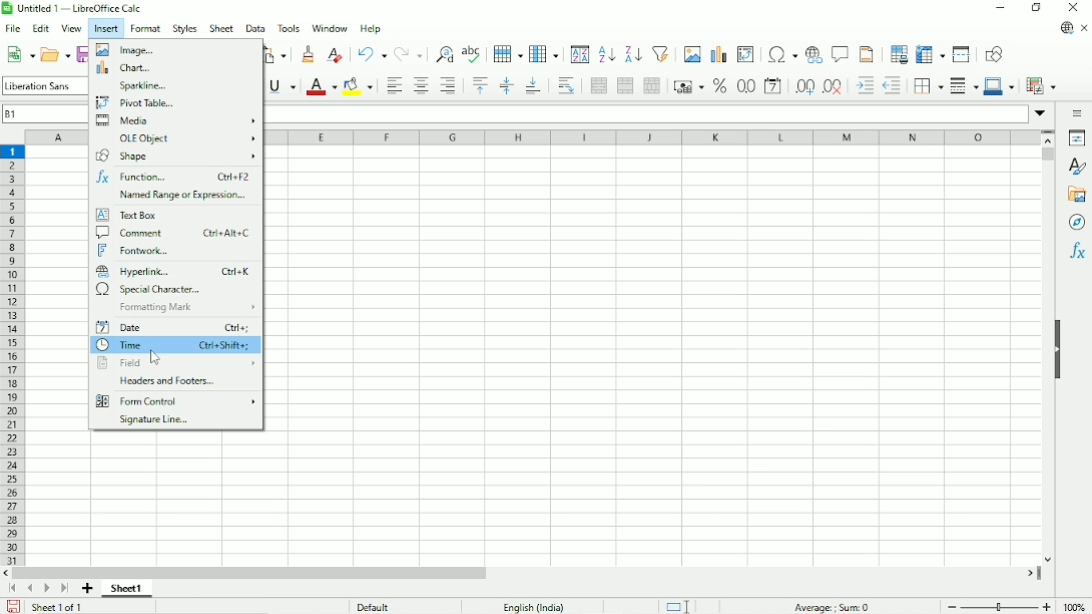 The image size is (1092, 614). Describe the element at coordinates (370, 29) in the screenshot. I see `Help` at that location.